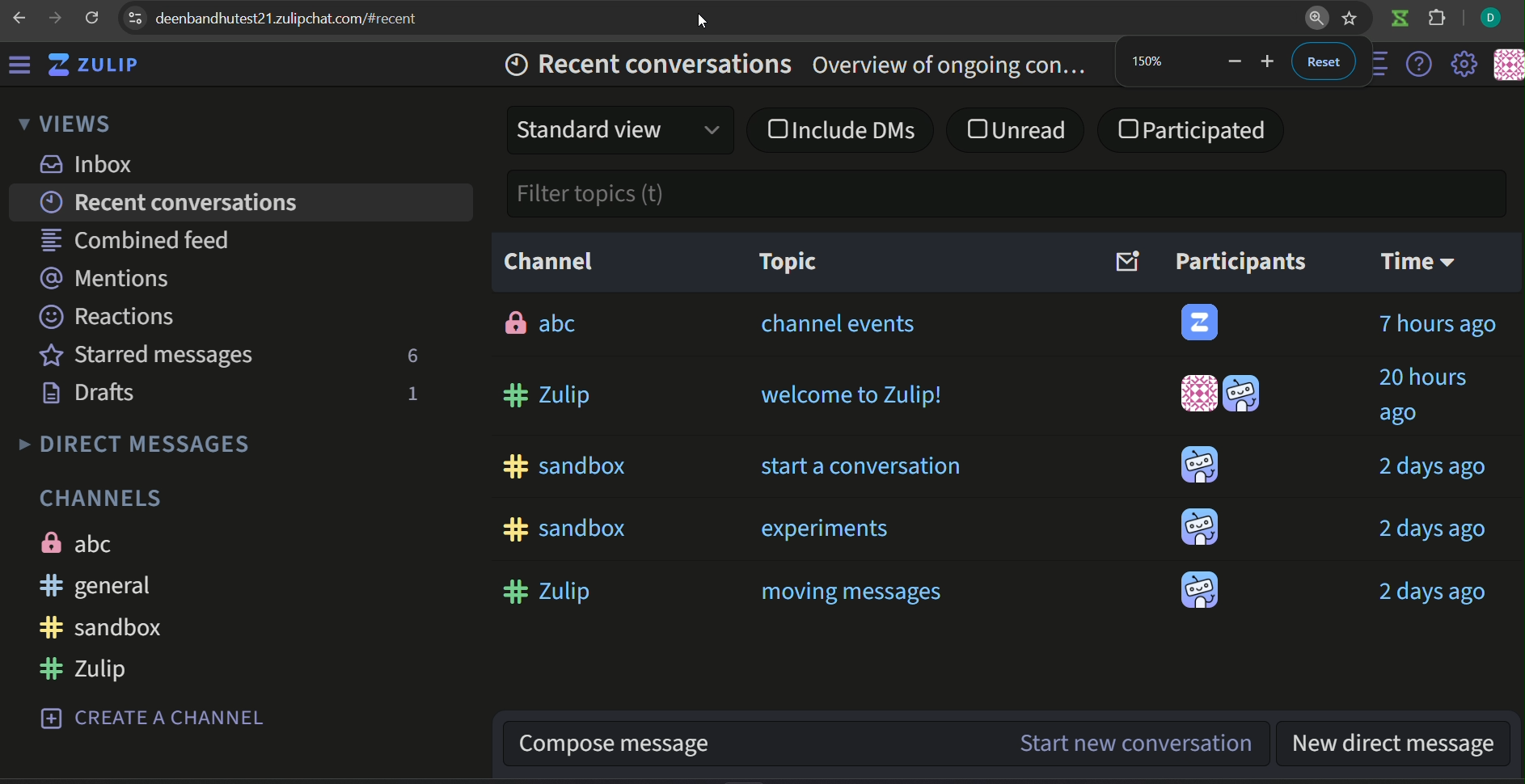  What do you see at coordinates (174, 204) in the screenshot?
I see `Recent conversations` at bounding box center [174, 204].